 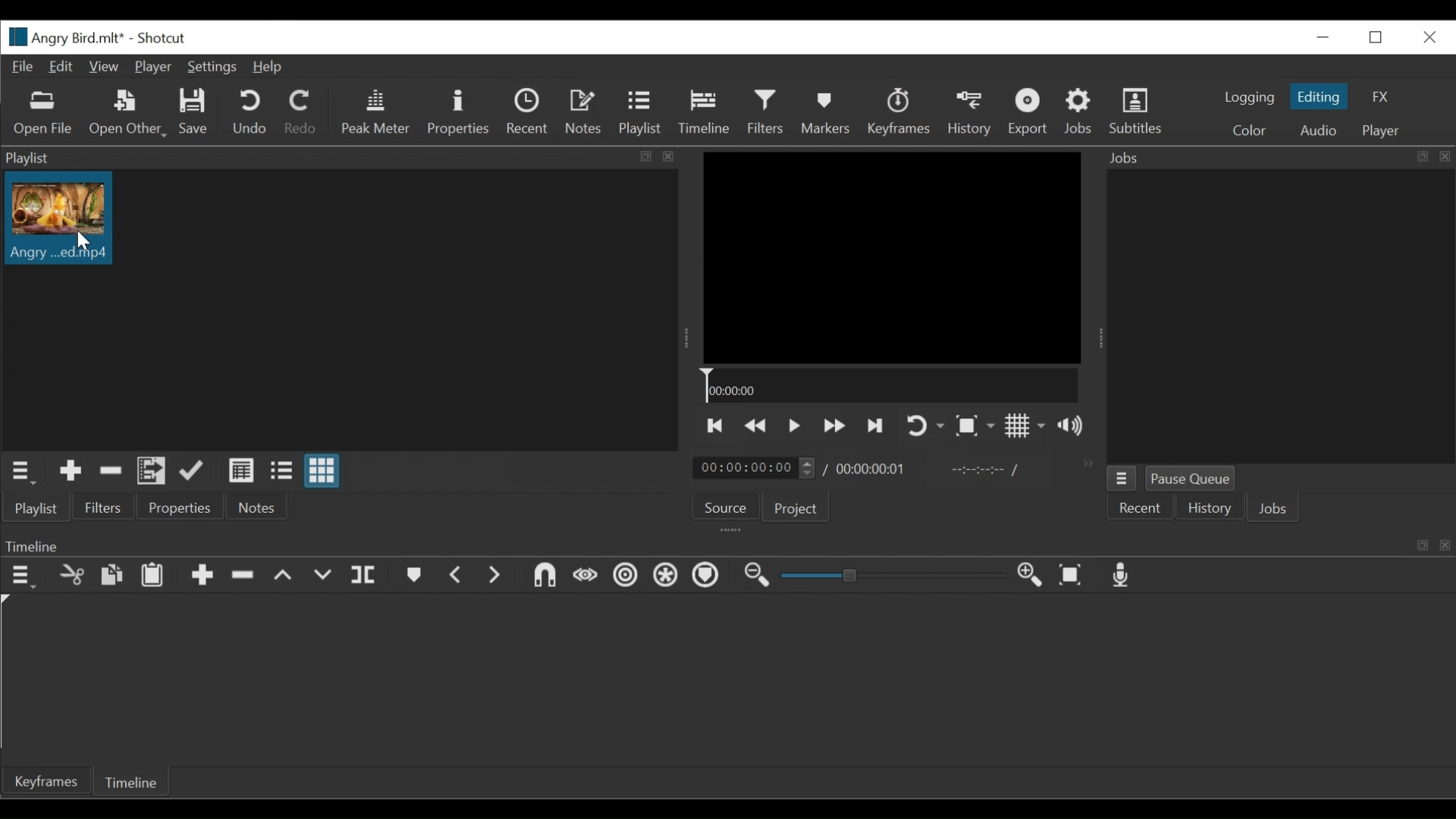 What do you see at coordinates (322, 472) in the screenshot?
I see `View as icons` at bounding box center [322, 472].